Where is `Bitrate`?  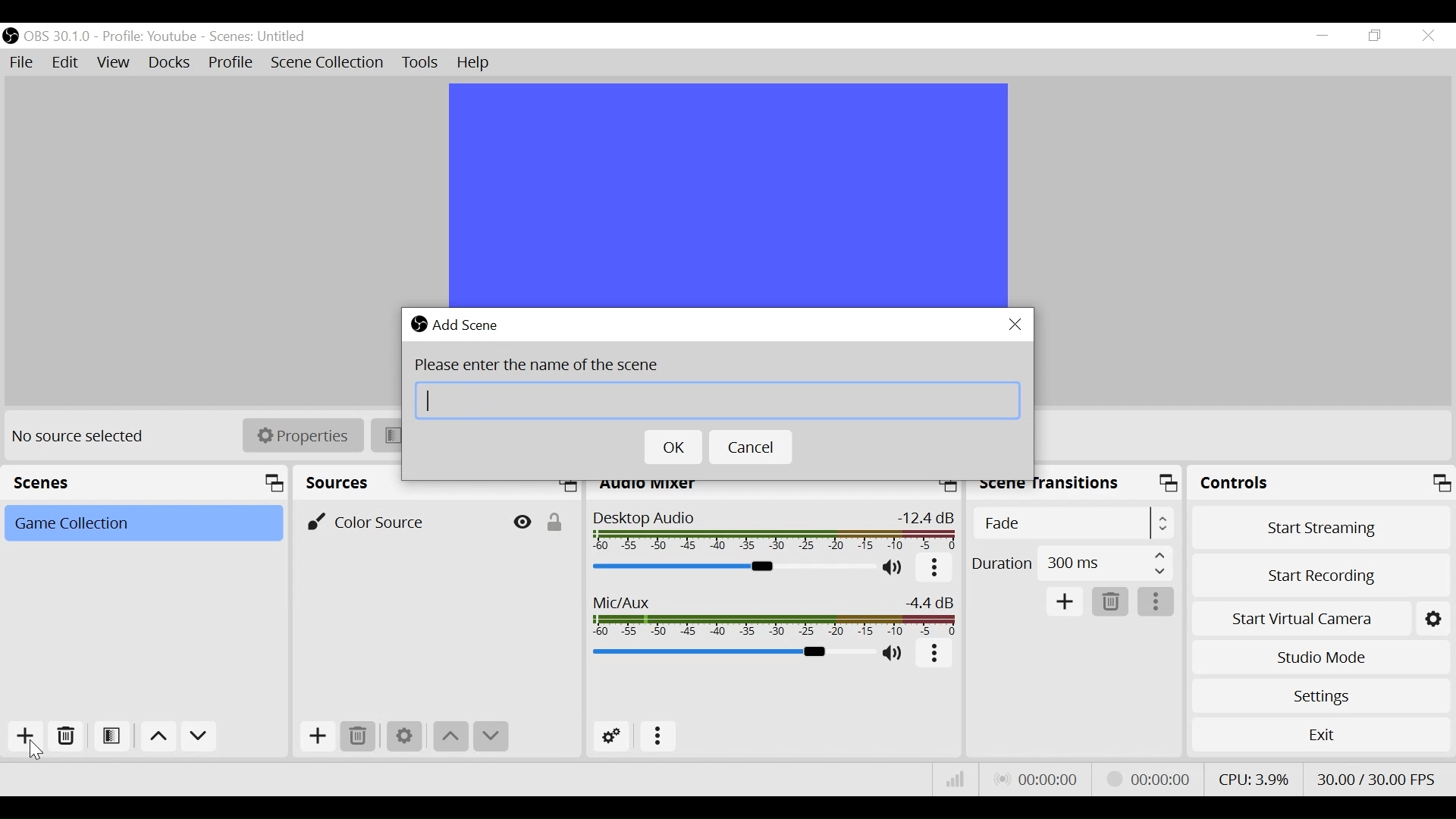
Bitrate is located at coordinates (954, 778).